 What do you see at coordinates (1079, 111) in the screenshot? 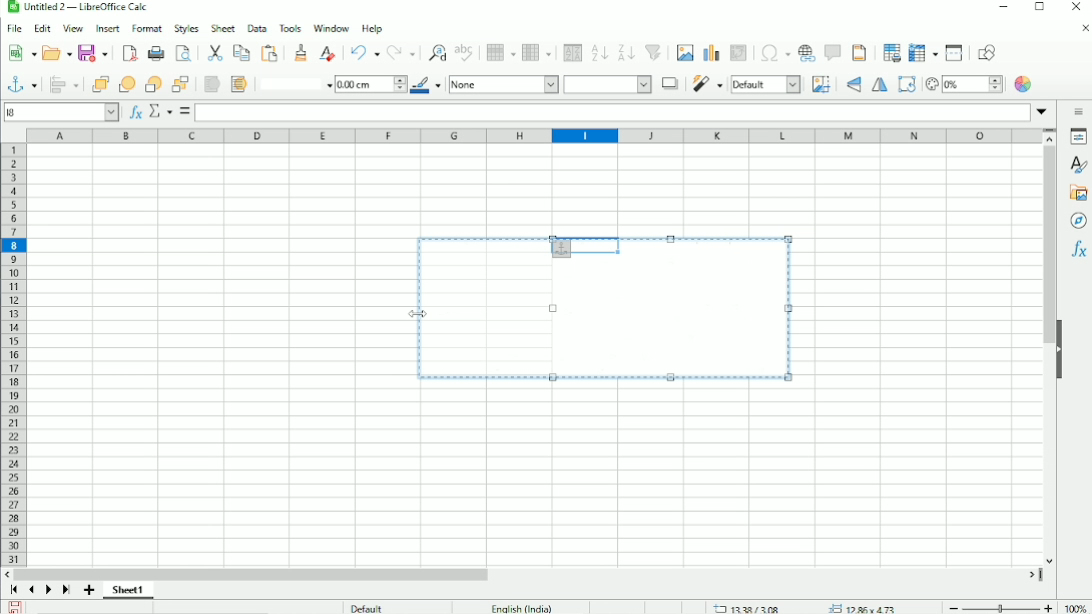
I see `Sidebar settings` at bounding box center [1079, 111].